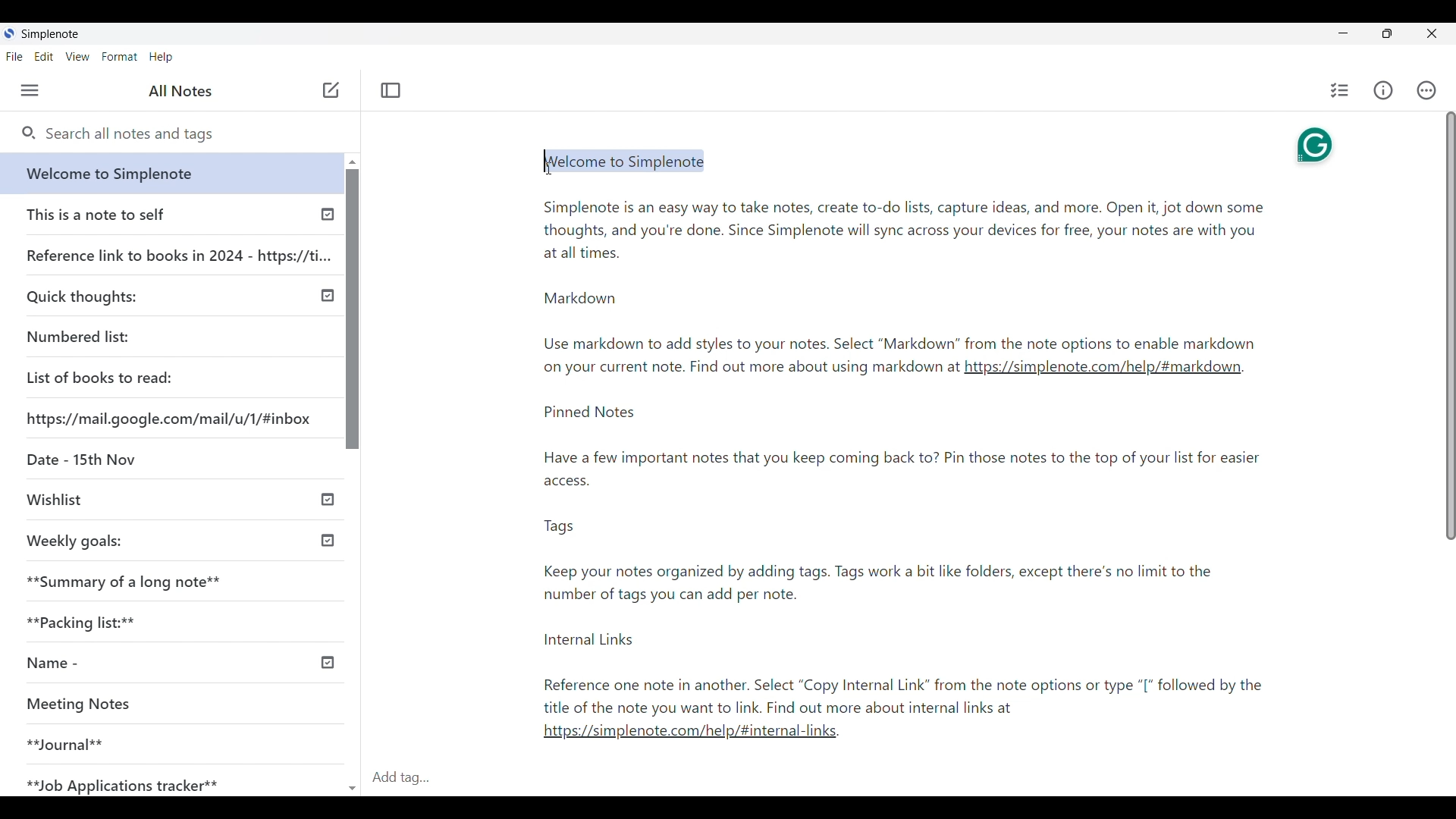 The height and width of the screenshot is (819, 1456). I want to click on Edit menu, so click(44, 56).